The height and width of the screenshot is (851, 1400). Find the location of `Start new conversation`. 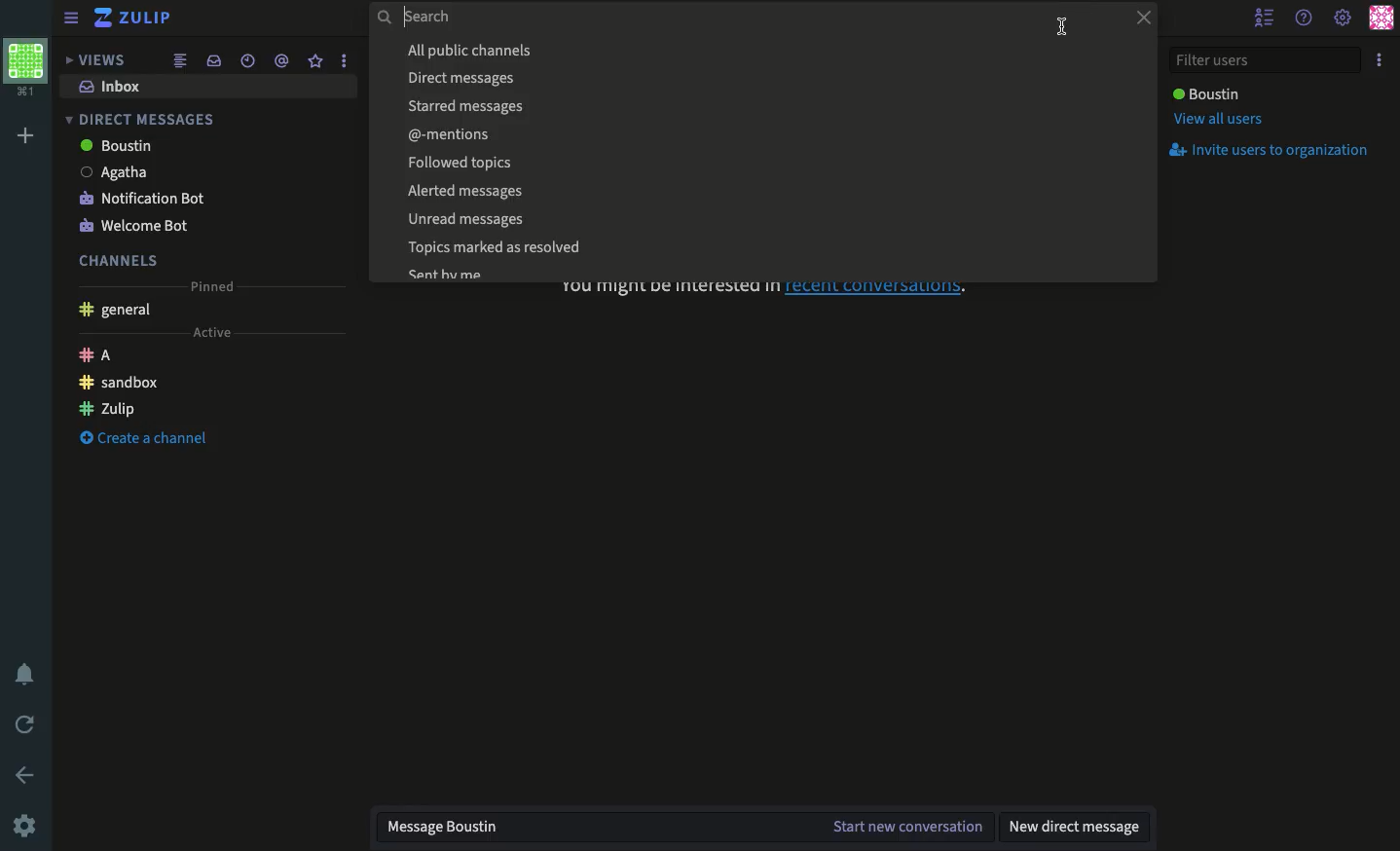

Start new conversation is located at coordinates (904, 828).